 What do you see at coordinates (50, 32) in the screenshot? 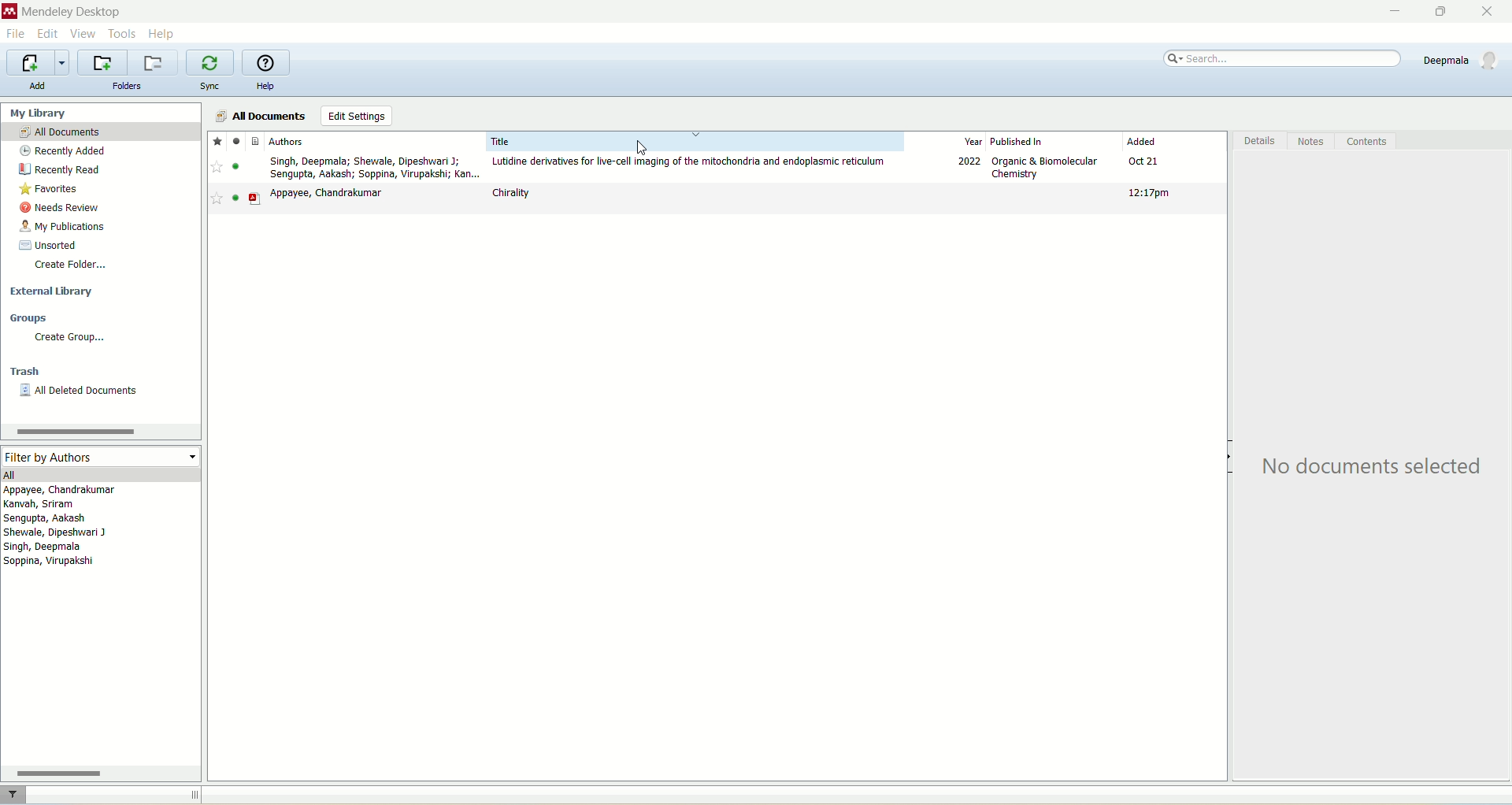
I see `edit` at bounding box center [50, 32].